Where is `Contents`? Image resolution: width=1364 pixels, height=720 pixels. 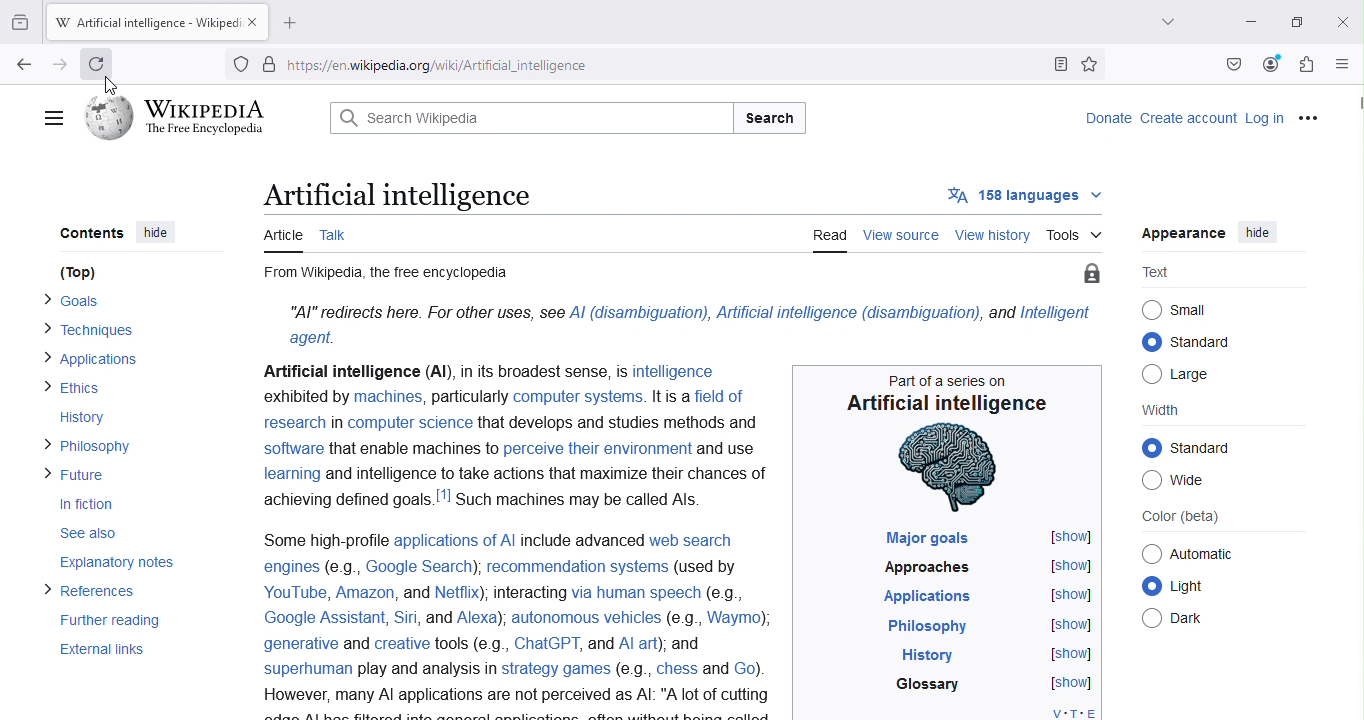
Contents is located at coordinates (88, 232).